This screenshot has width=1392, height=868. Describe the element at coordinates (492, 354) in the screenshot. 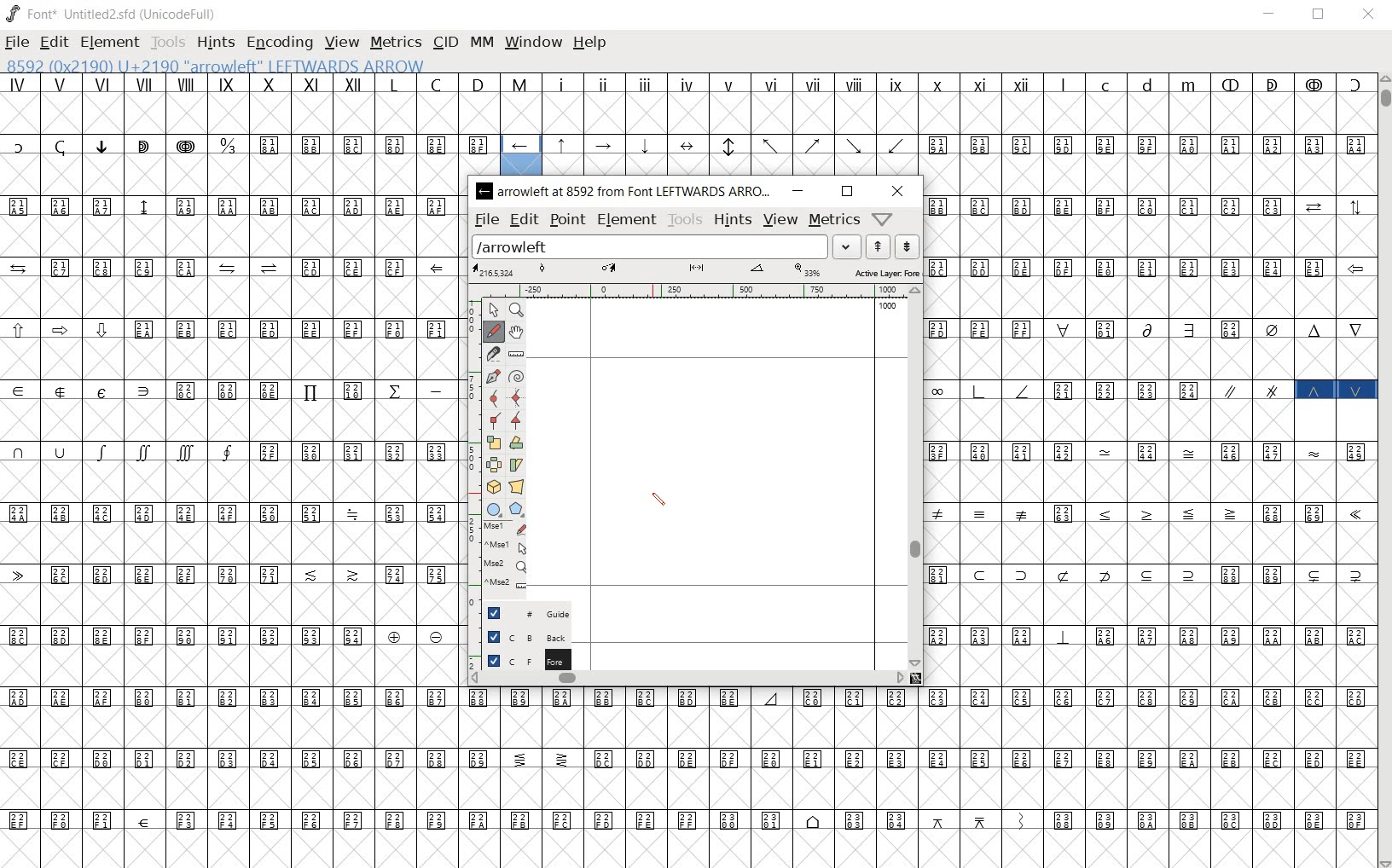

I see `cut splines in two` at that location.